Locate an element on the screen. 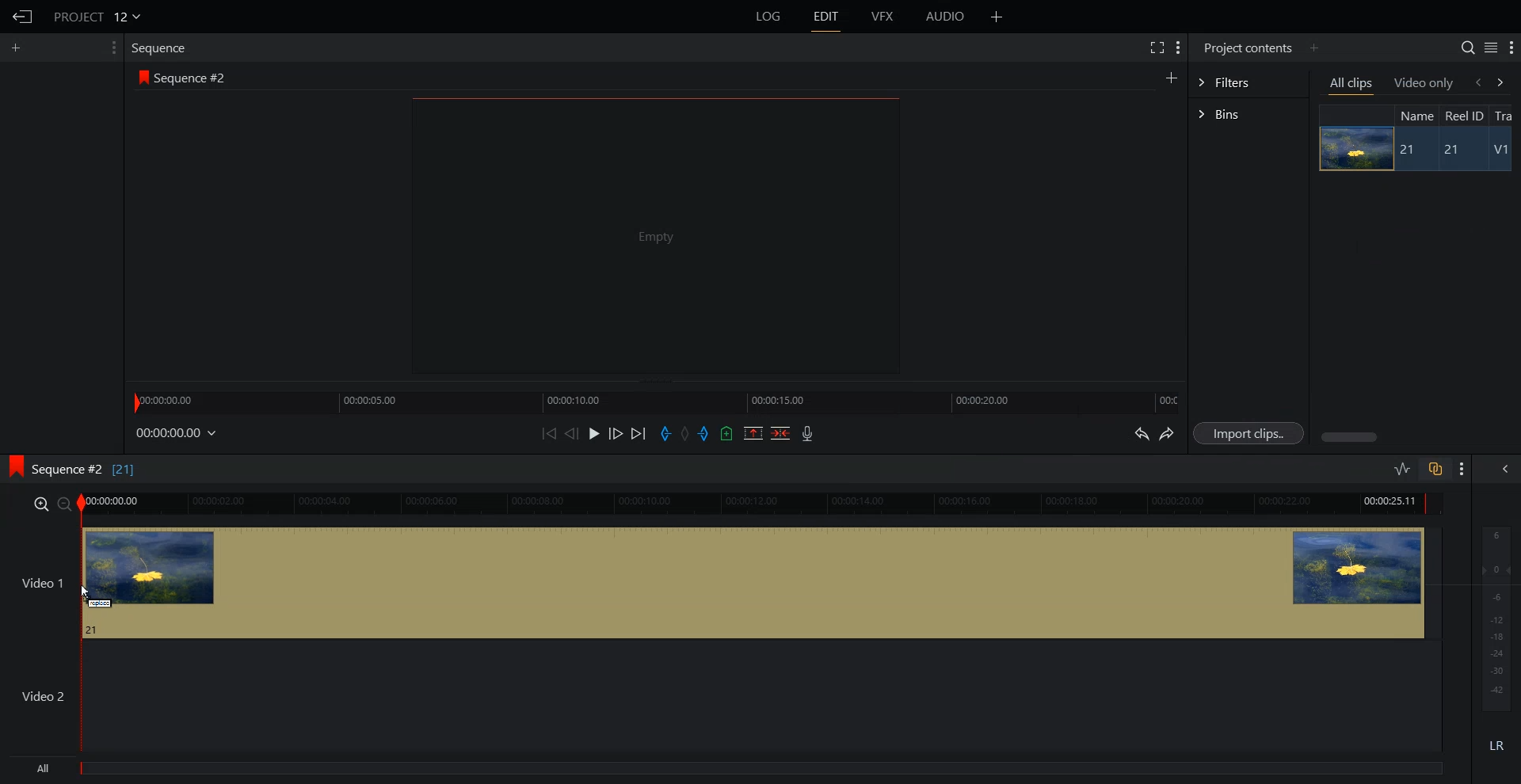  Project contents is located at coordinates (1248, 48).